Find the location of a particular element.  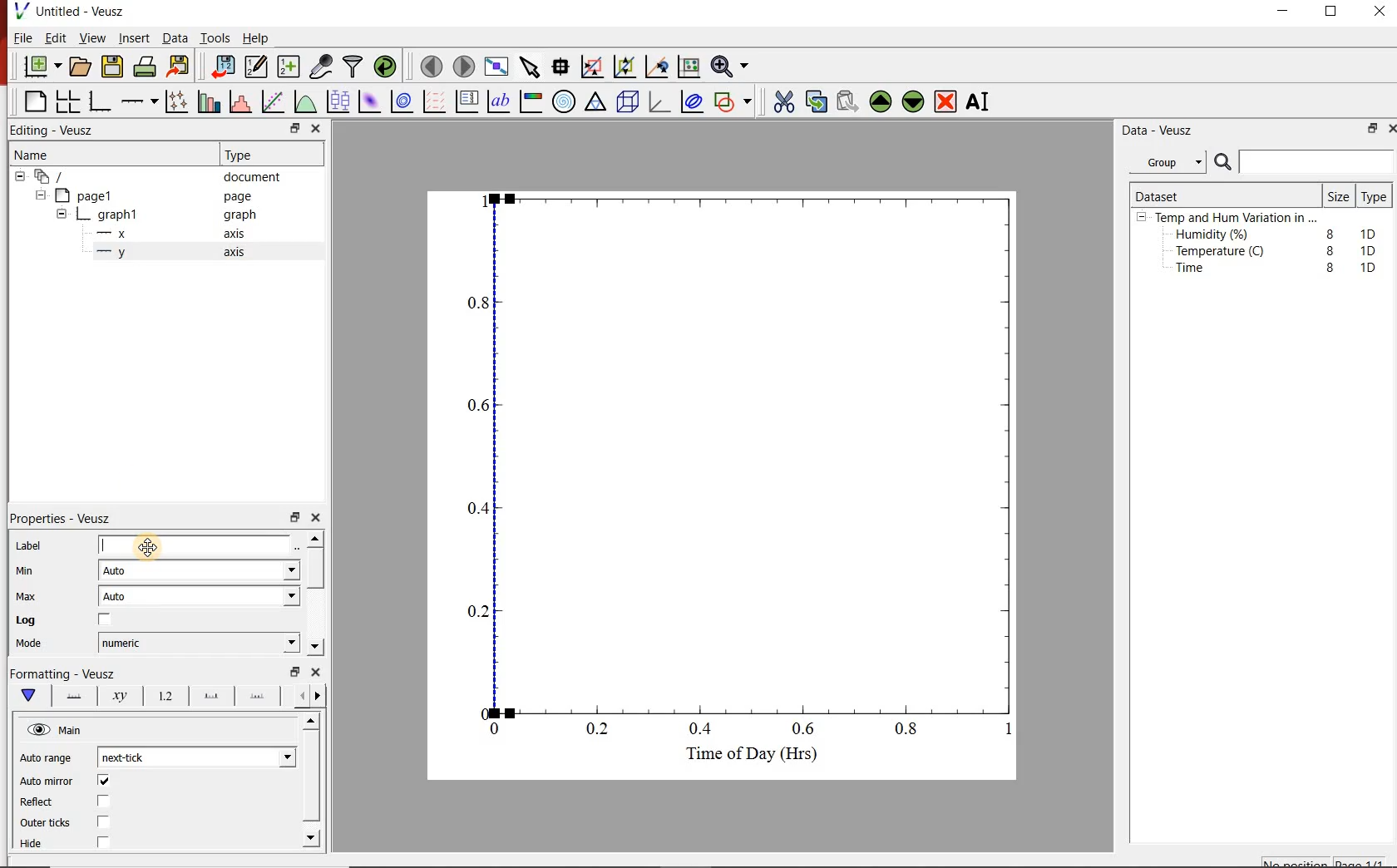

plot box plots is located at coordinates (338, 102).